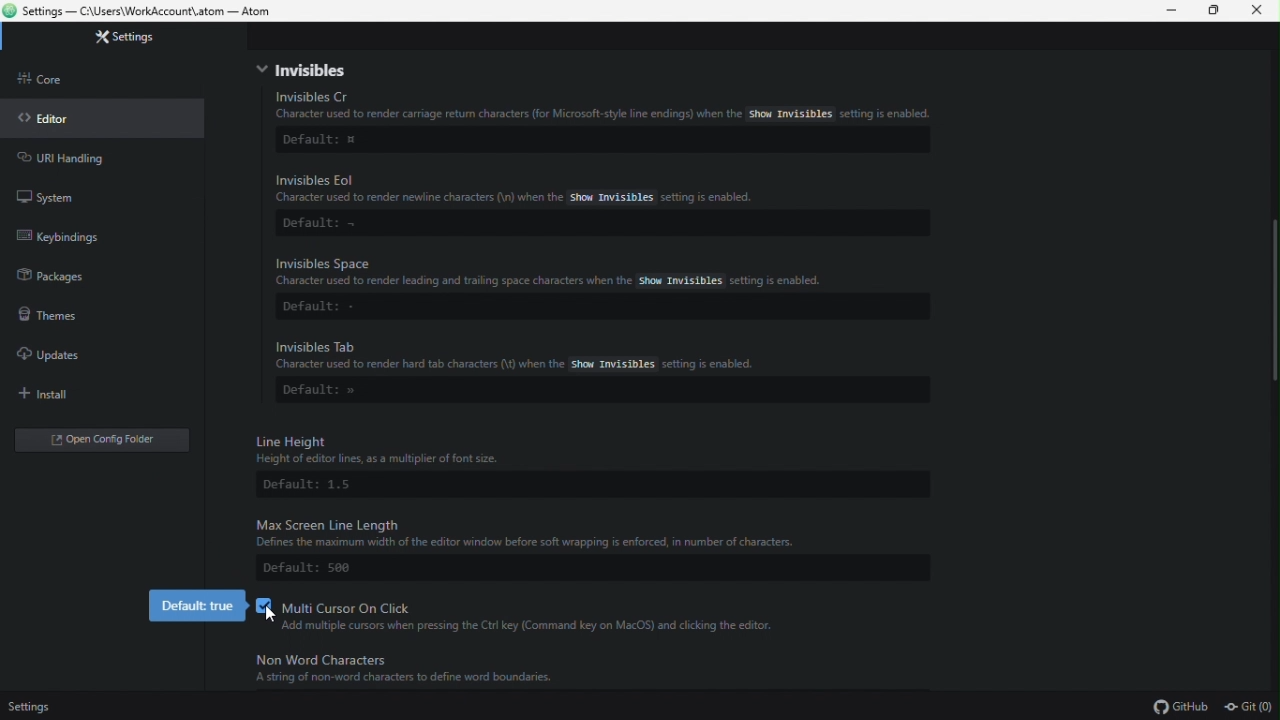  I want to click on Install , so click(55, 395).